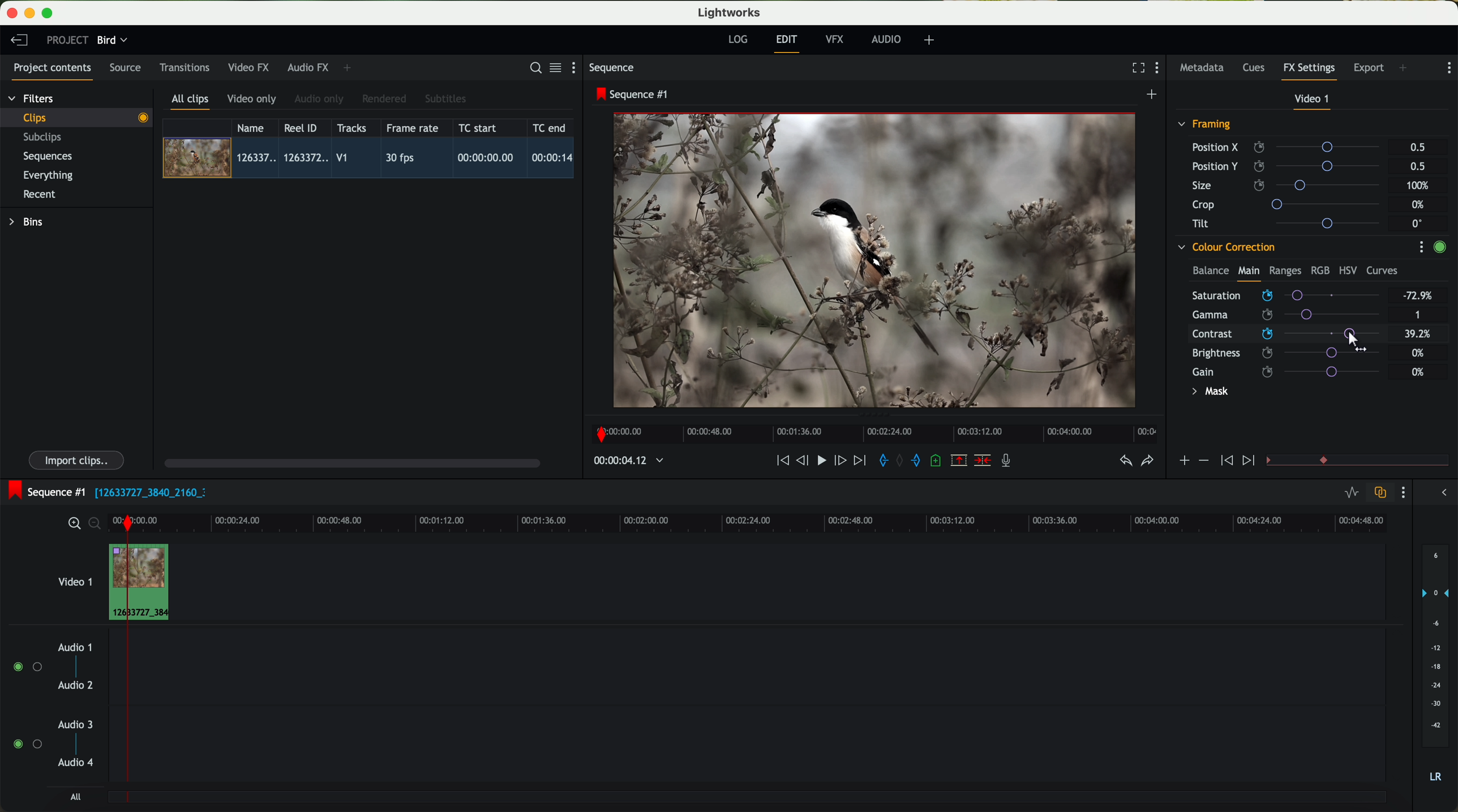 Image resolution: width=1458 pixels, height=812 pixels. What do you see at coordinates (788, 42) in the screenshot?
I see `edit` at bounding box center [788, 42].